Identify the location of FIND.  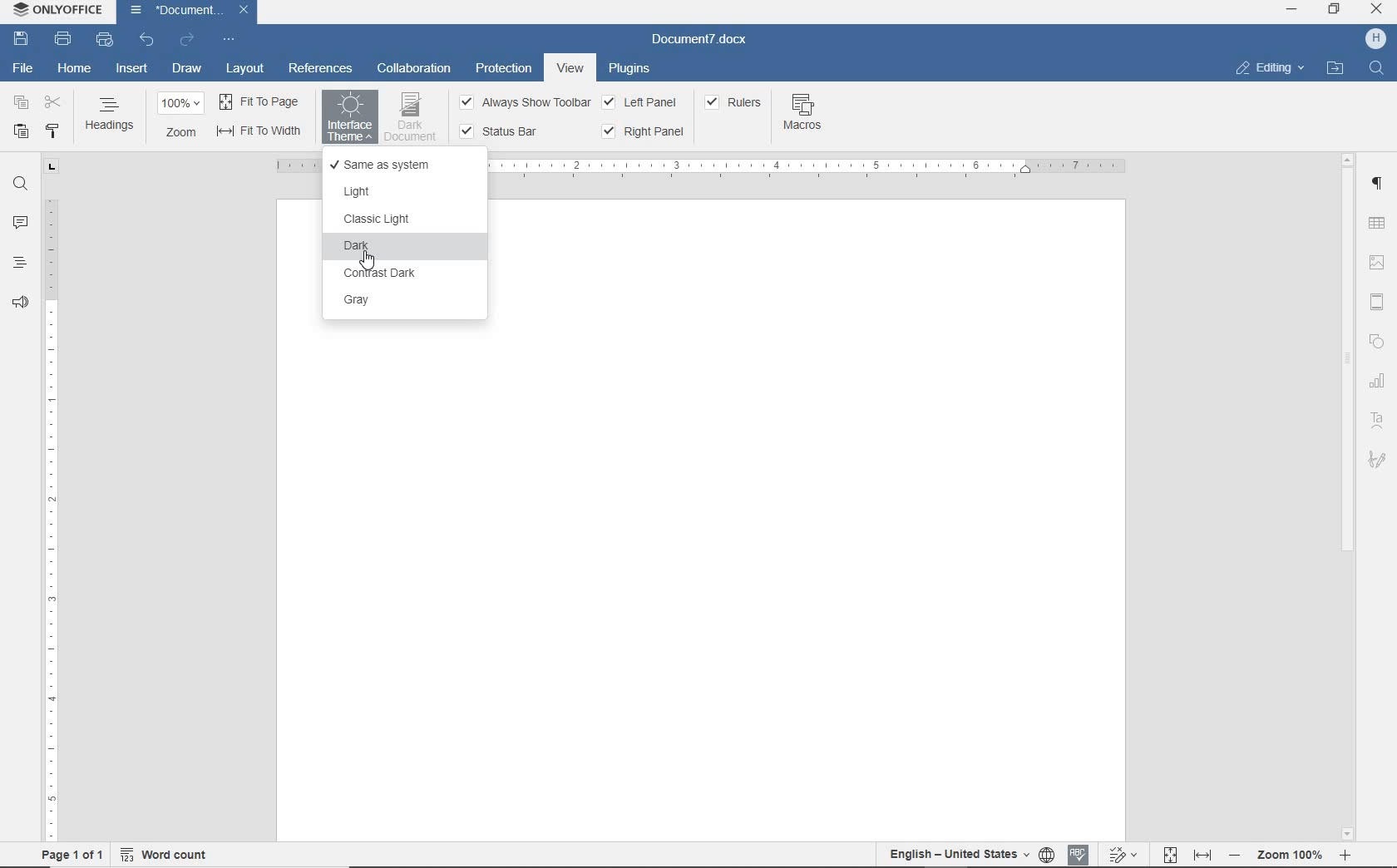
(1376, 69).